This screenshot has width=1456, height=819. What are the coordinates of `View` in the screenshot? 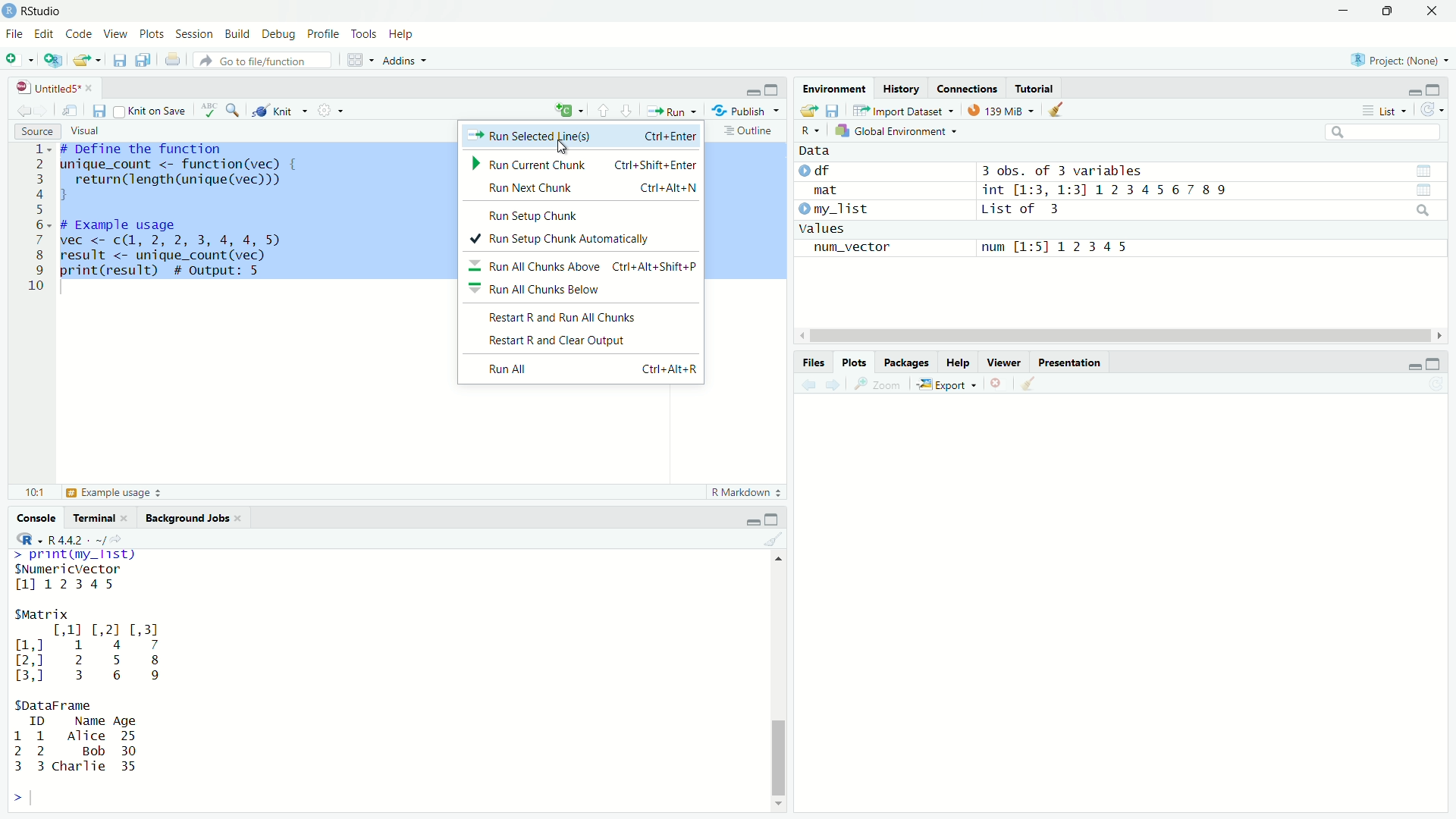 It's located at (115, 35).